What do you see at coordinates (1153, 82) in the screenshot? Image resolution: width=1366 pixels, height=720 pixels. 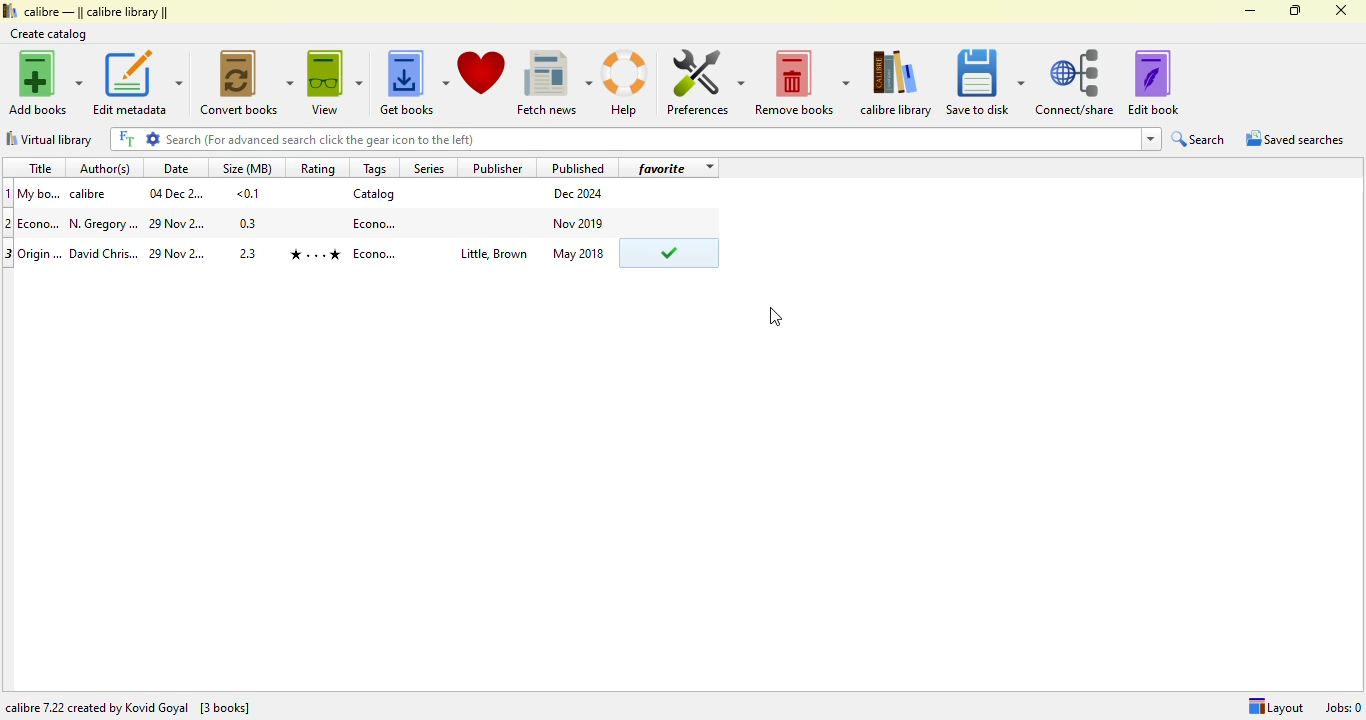 I see `edit book` at bounding box center [1153, 82].